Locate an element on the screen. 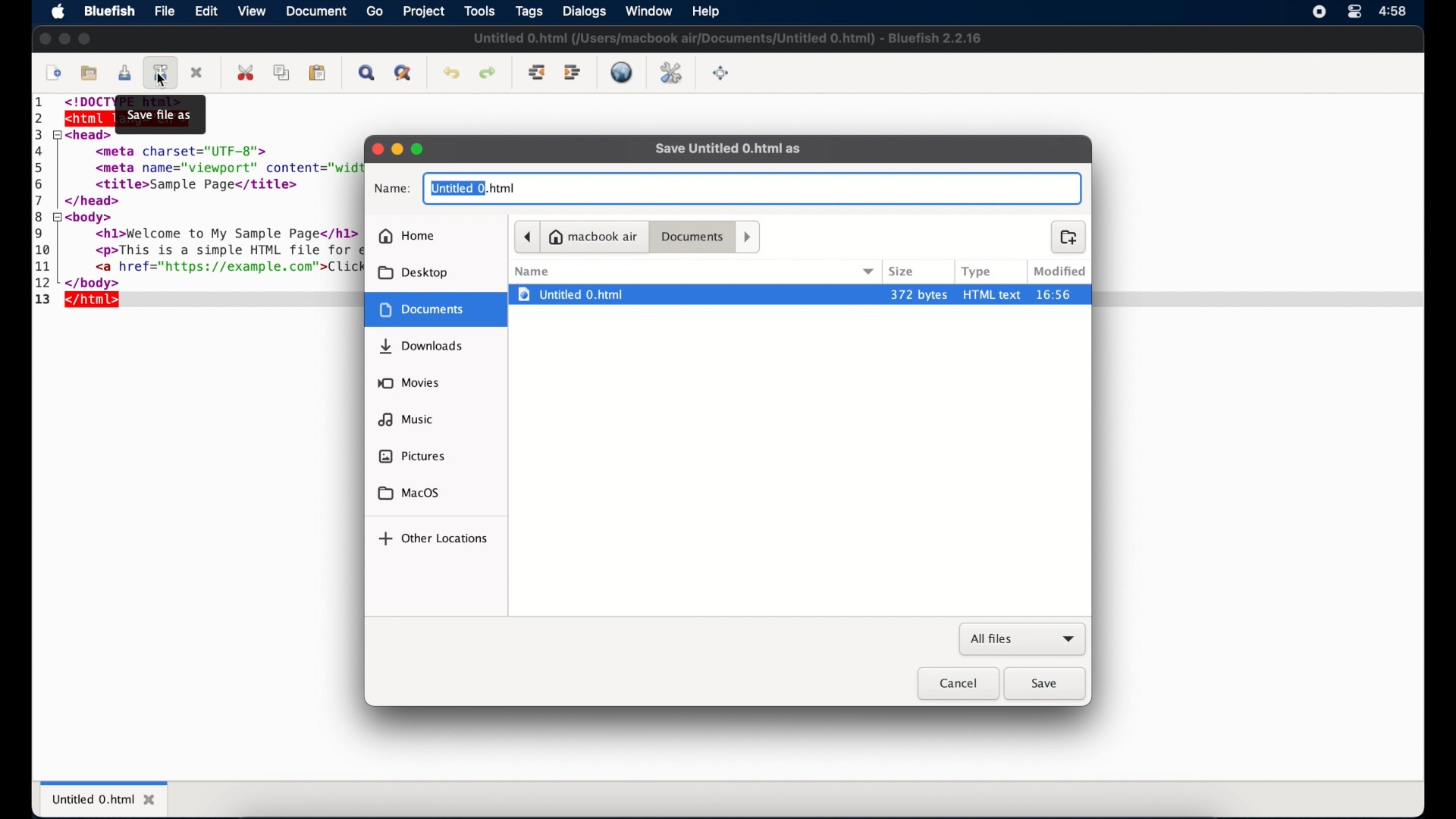 The image size is (1456, 819). indent is located at coordinates (573, 73).